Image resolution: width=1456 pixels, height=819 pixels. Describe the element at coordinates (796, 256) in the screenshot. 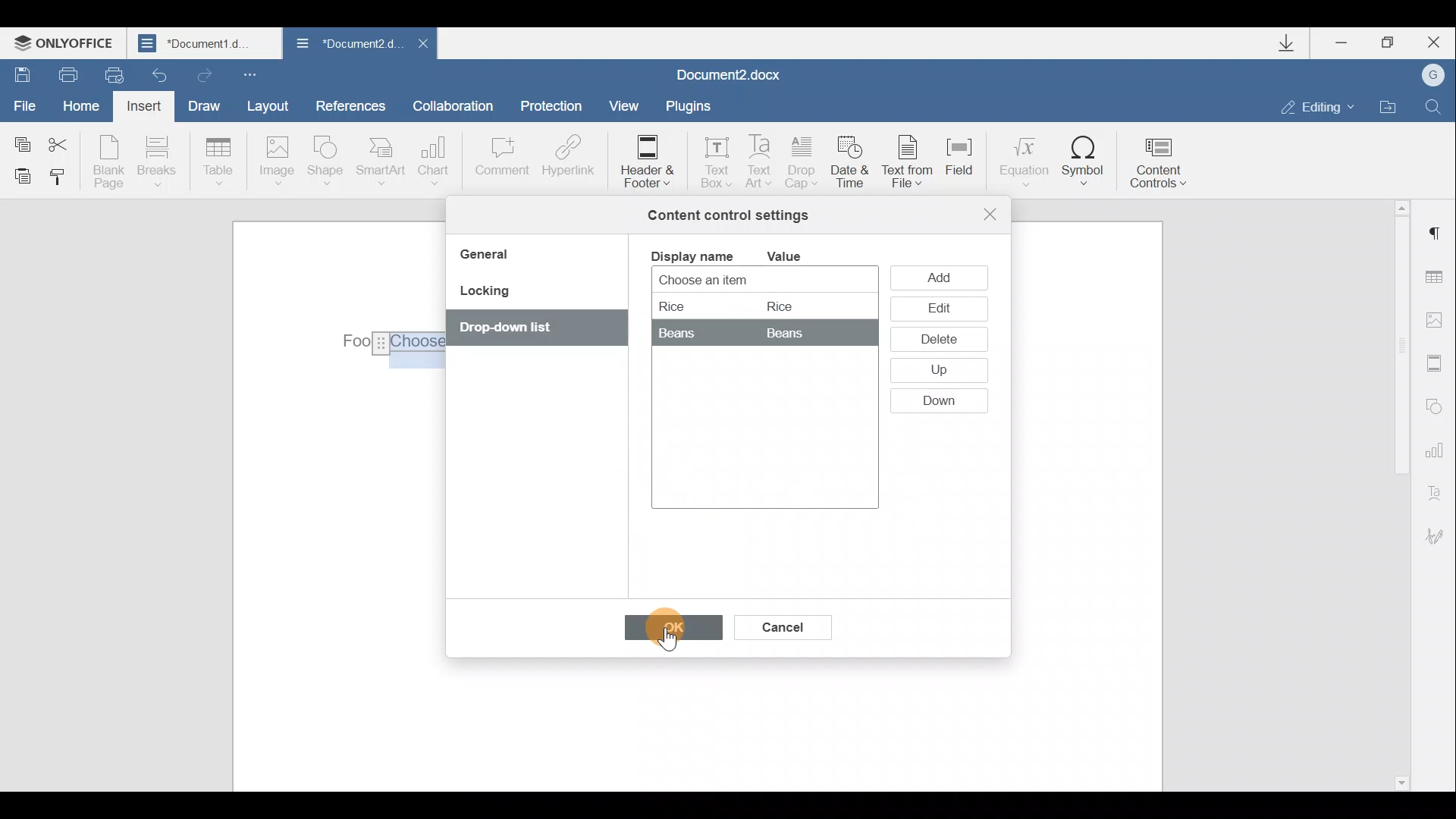

I see `Value` at that location.